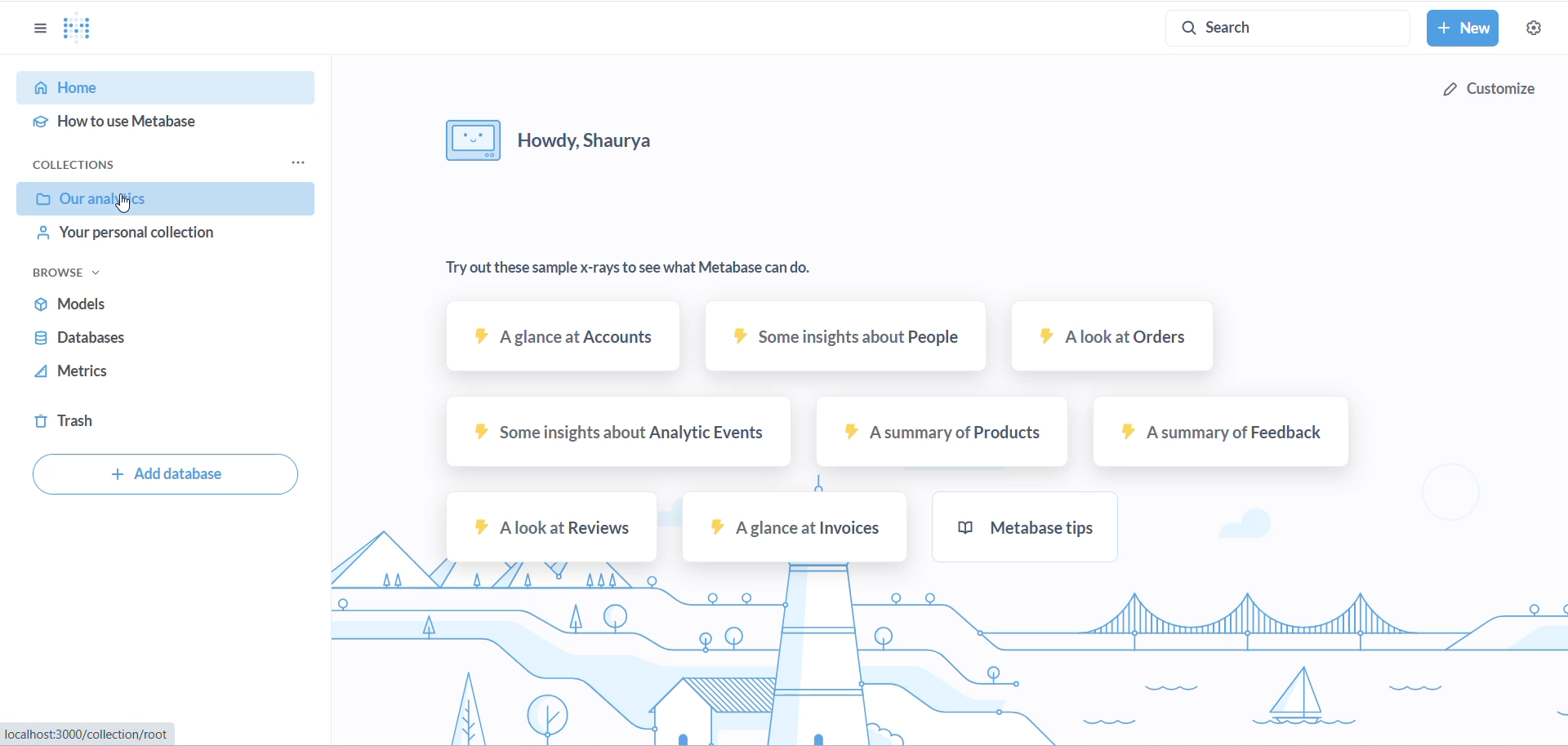 The image size is (1568, 746). Describe the element at coordinates (1221, 437) in the screenshot. I see `A summary of Feedback` at that location.